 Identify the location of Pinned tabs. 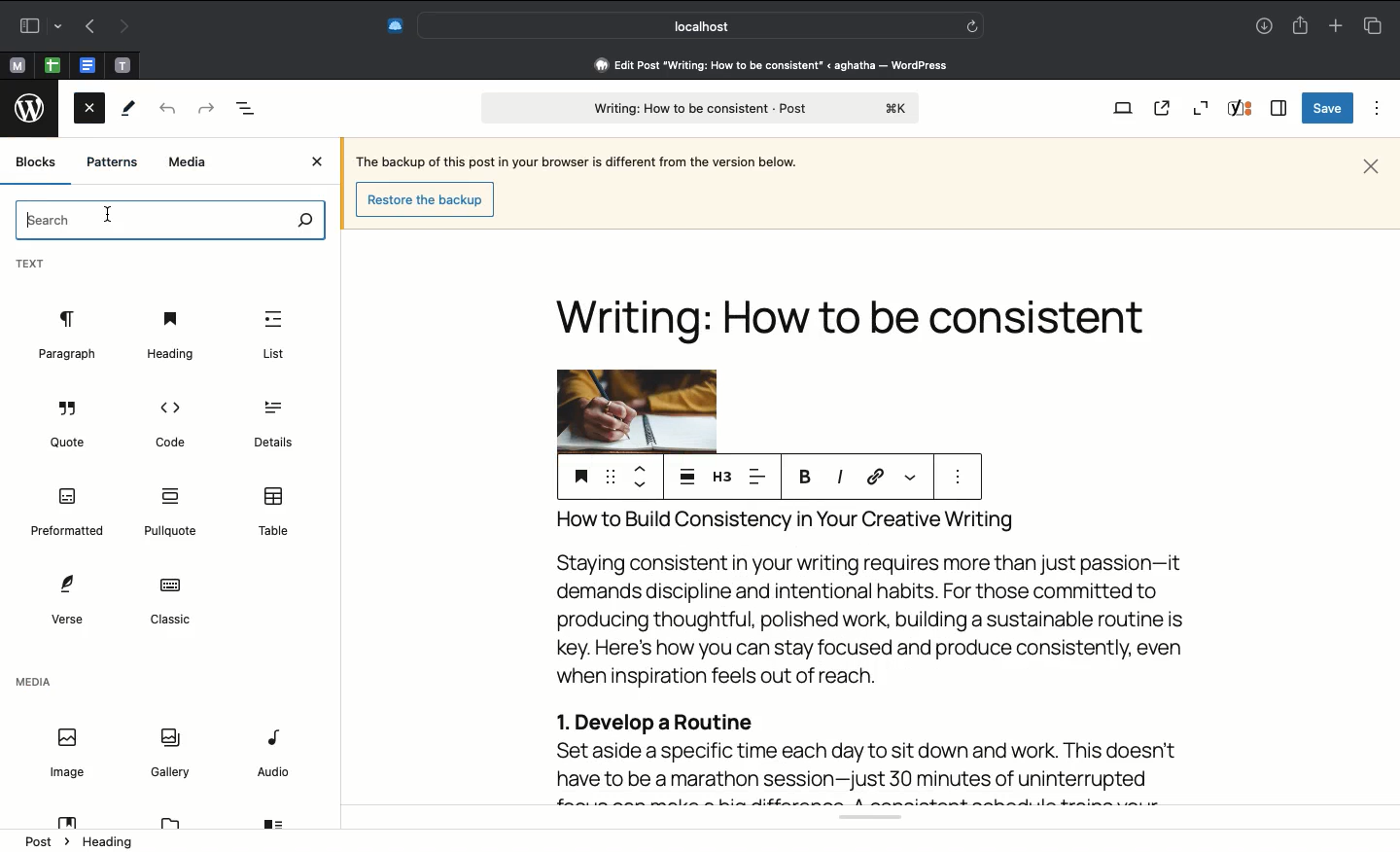
(121, 65).